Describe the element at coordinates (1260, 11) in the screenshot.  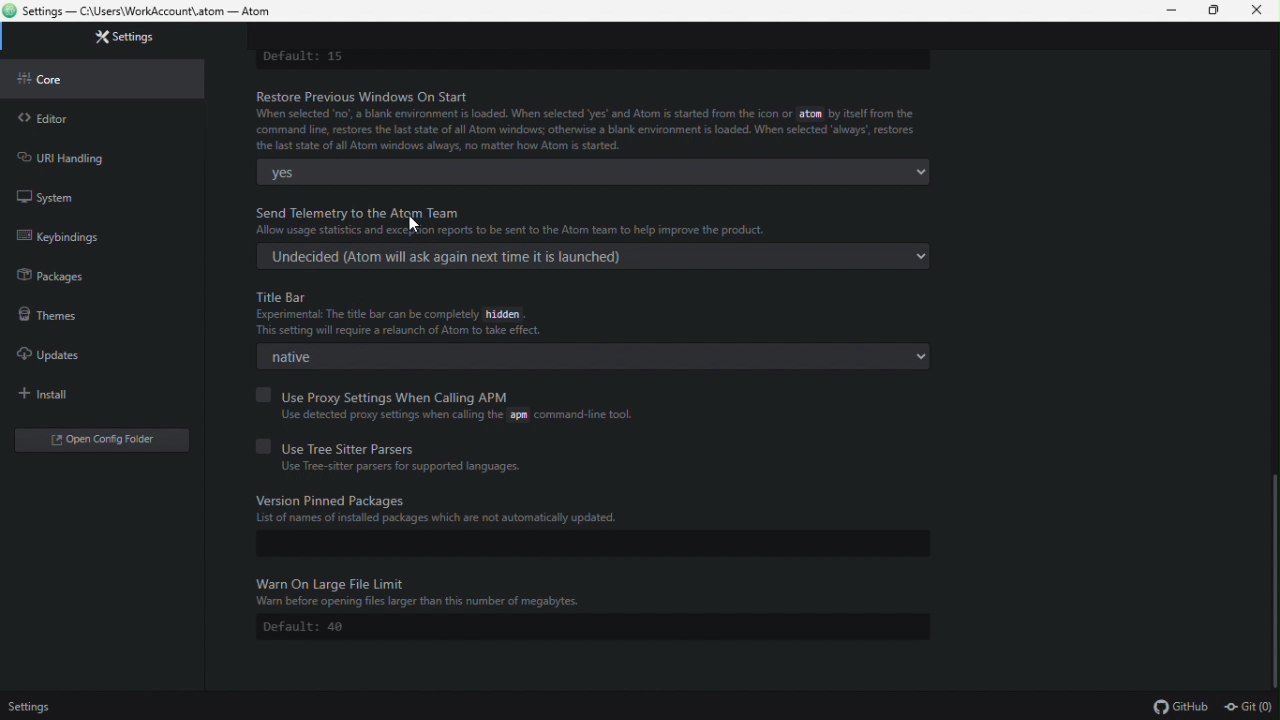
I see `close` at that location.